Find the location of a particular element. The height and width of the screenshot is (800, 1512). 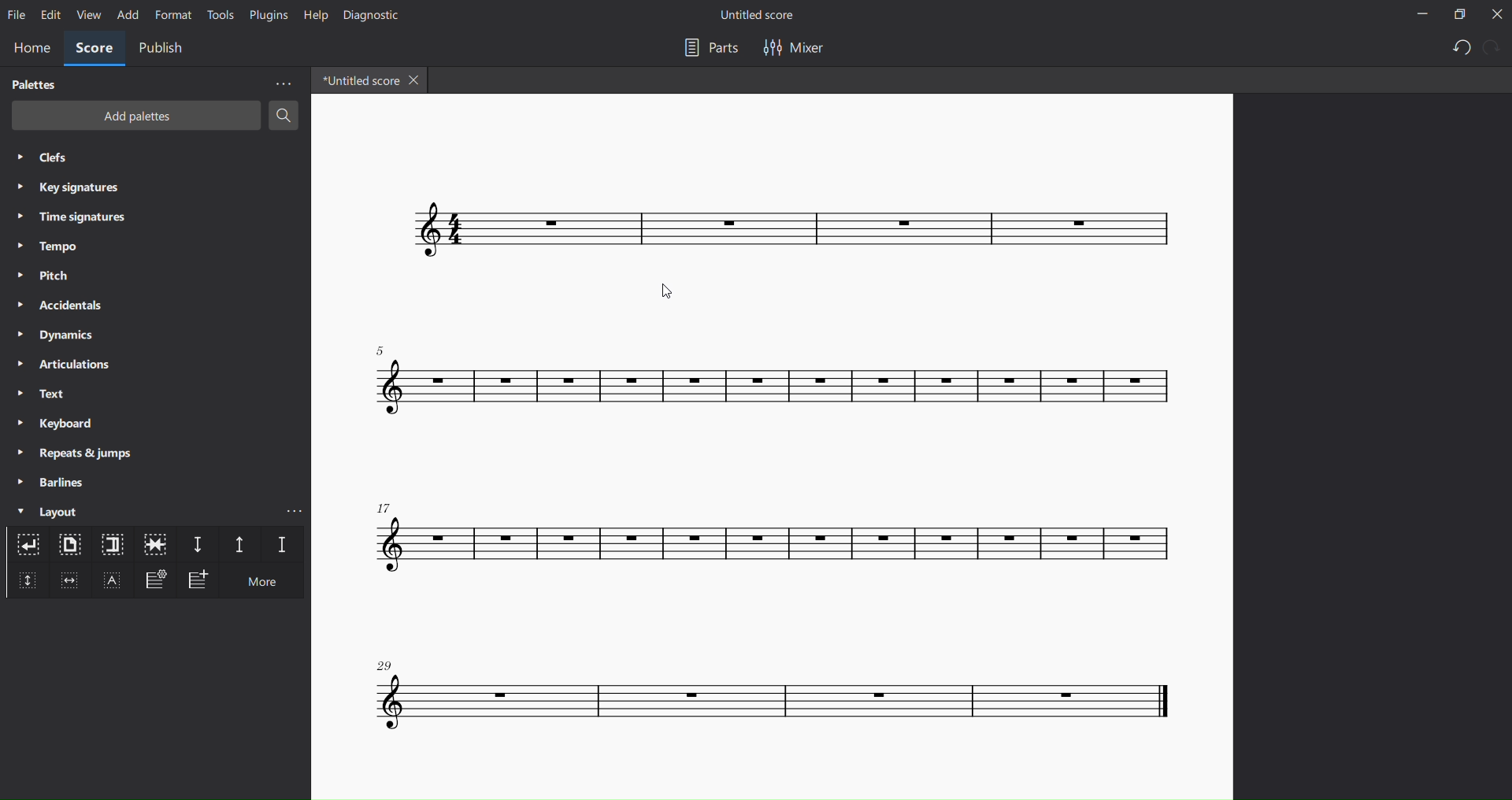

format is located at coordinates (174, 15).